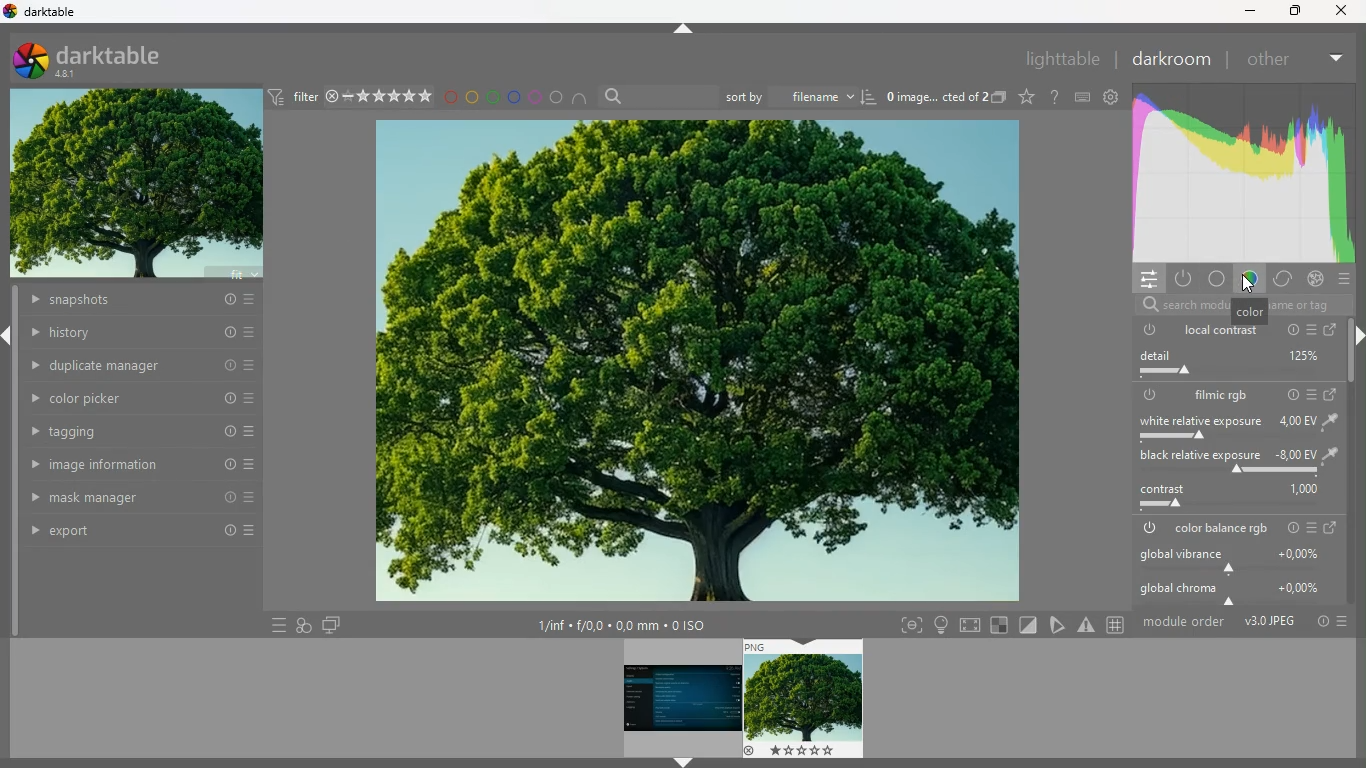 The image size is (1366, 768). Describe the element at coordinates (1240, 174) in the screenshot. I see `gradient` at that location.